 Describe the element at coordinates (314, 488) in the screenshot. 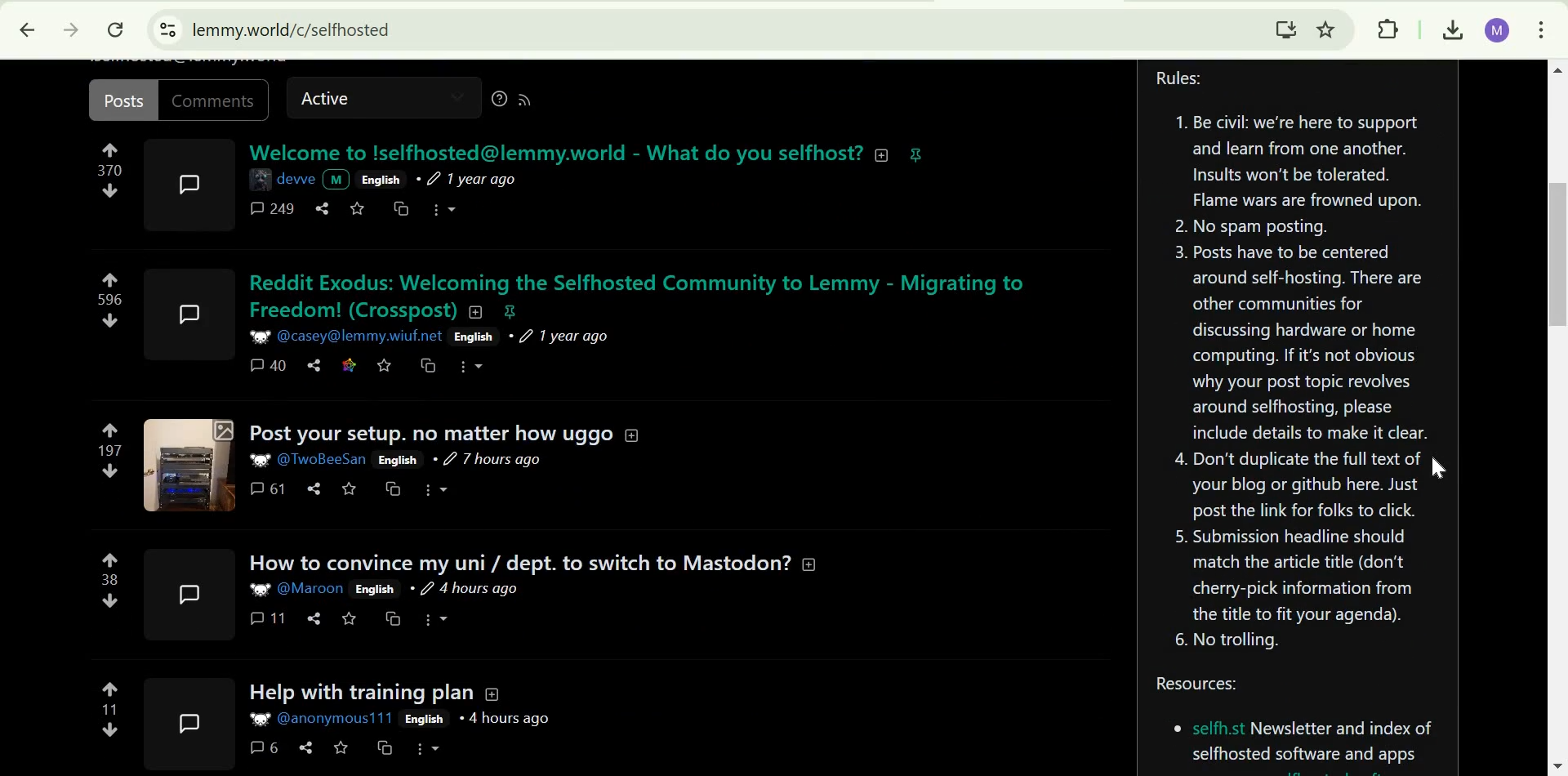

I see `share` at that location.